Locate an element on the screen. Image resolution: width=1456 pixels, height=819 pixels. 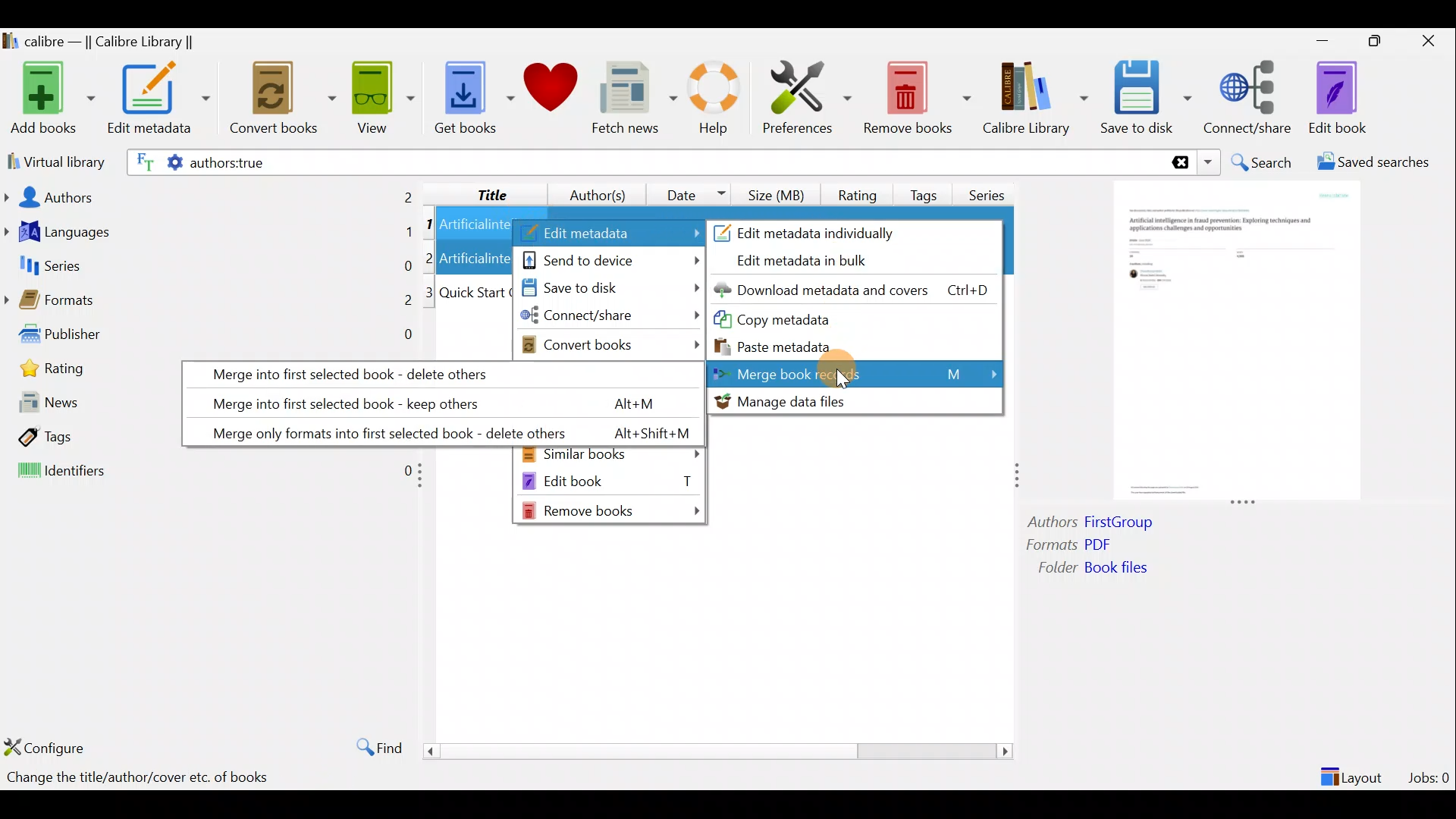
Edit metadata individually is located at coordinates (824, 231).